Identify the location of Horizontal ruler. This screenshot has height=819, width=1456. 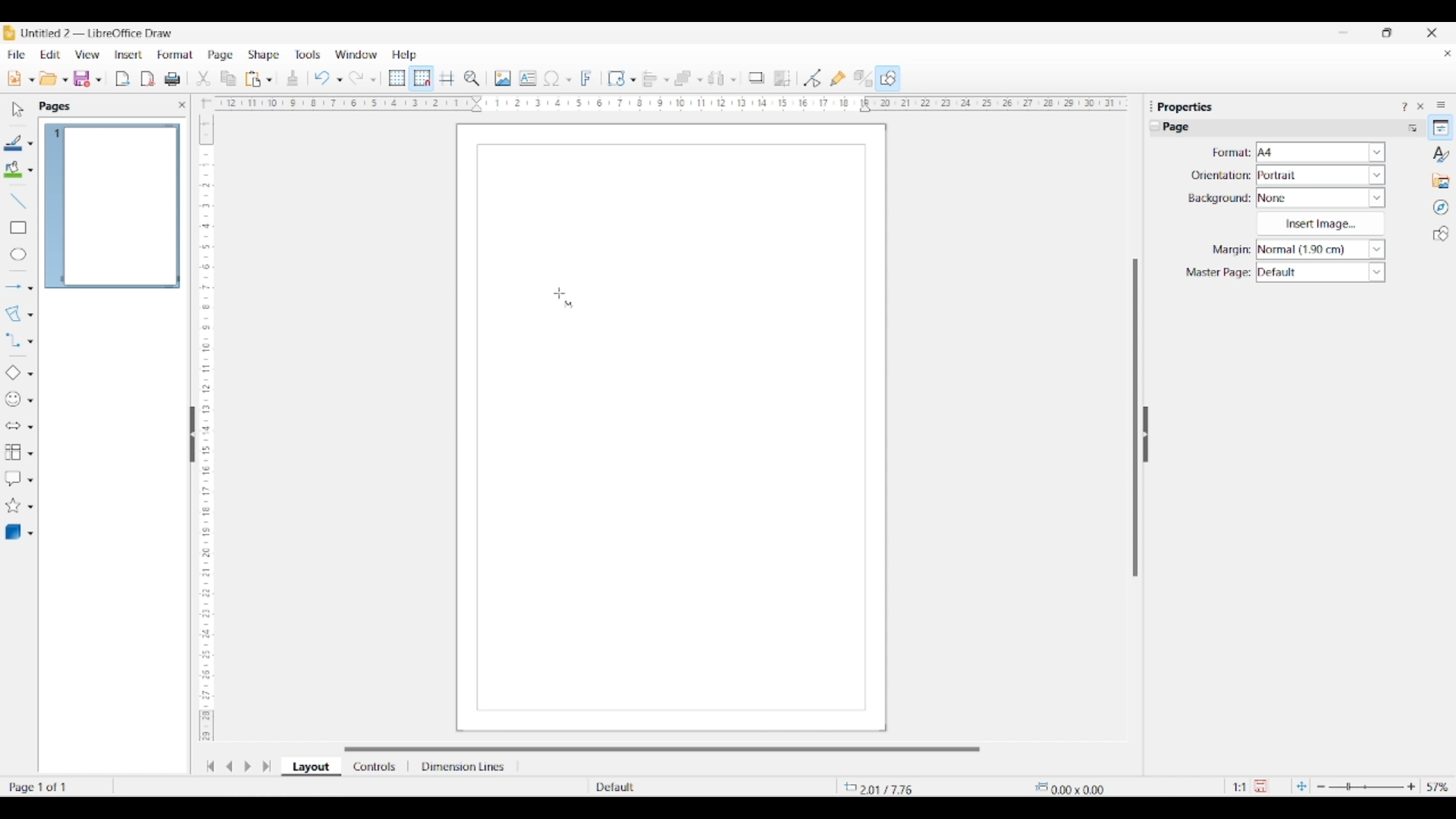
(666, 103).